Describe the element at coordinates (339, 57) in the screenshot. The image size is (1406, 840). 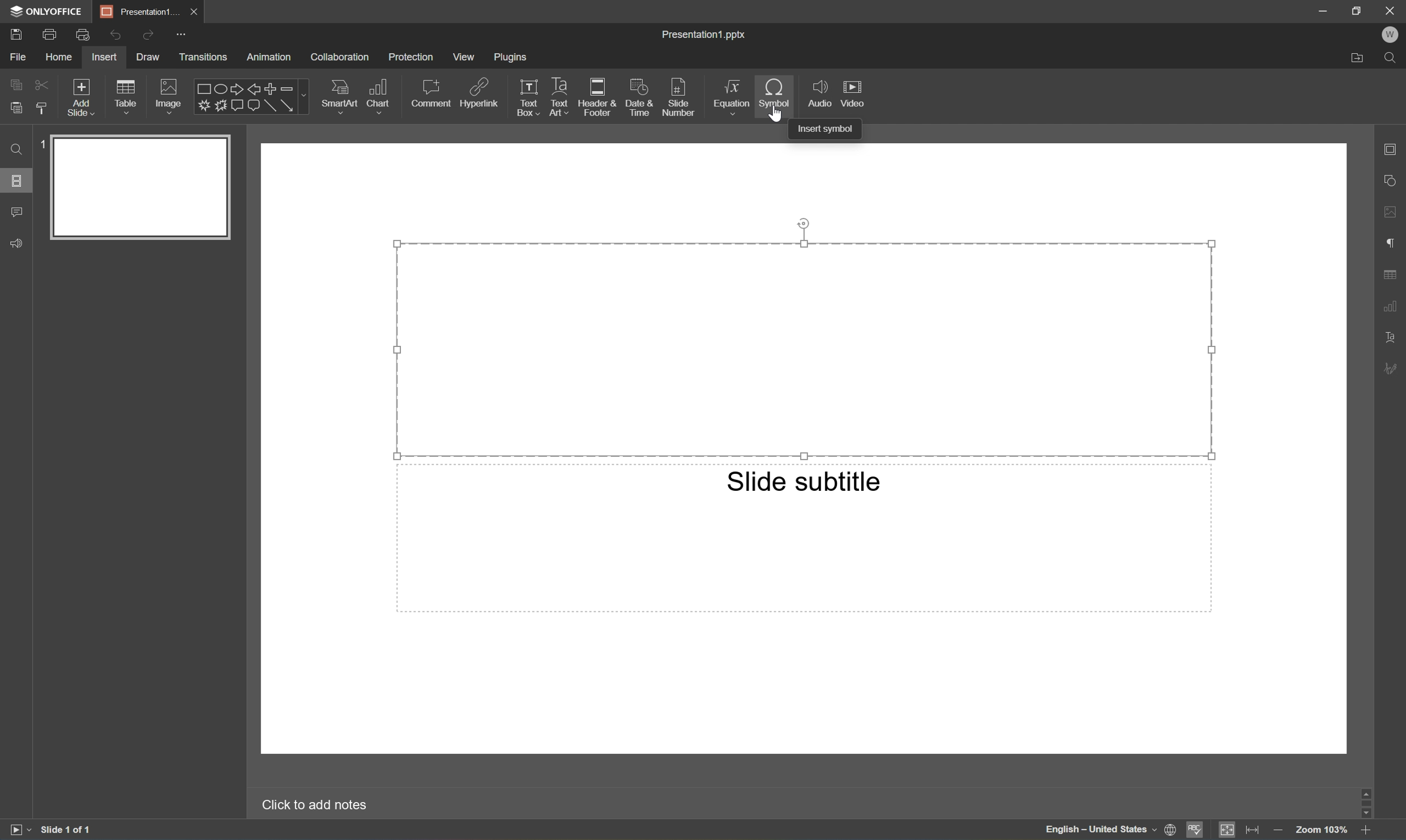
I see `Collaboration` at that location.